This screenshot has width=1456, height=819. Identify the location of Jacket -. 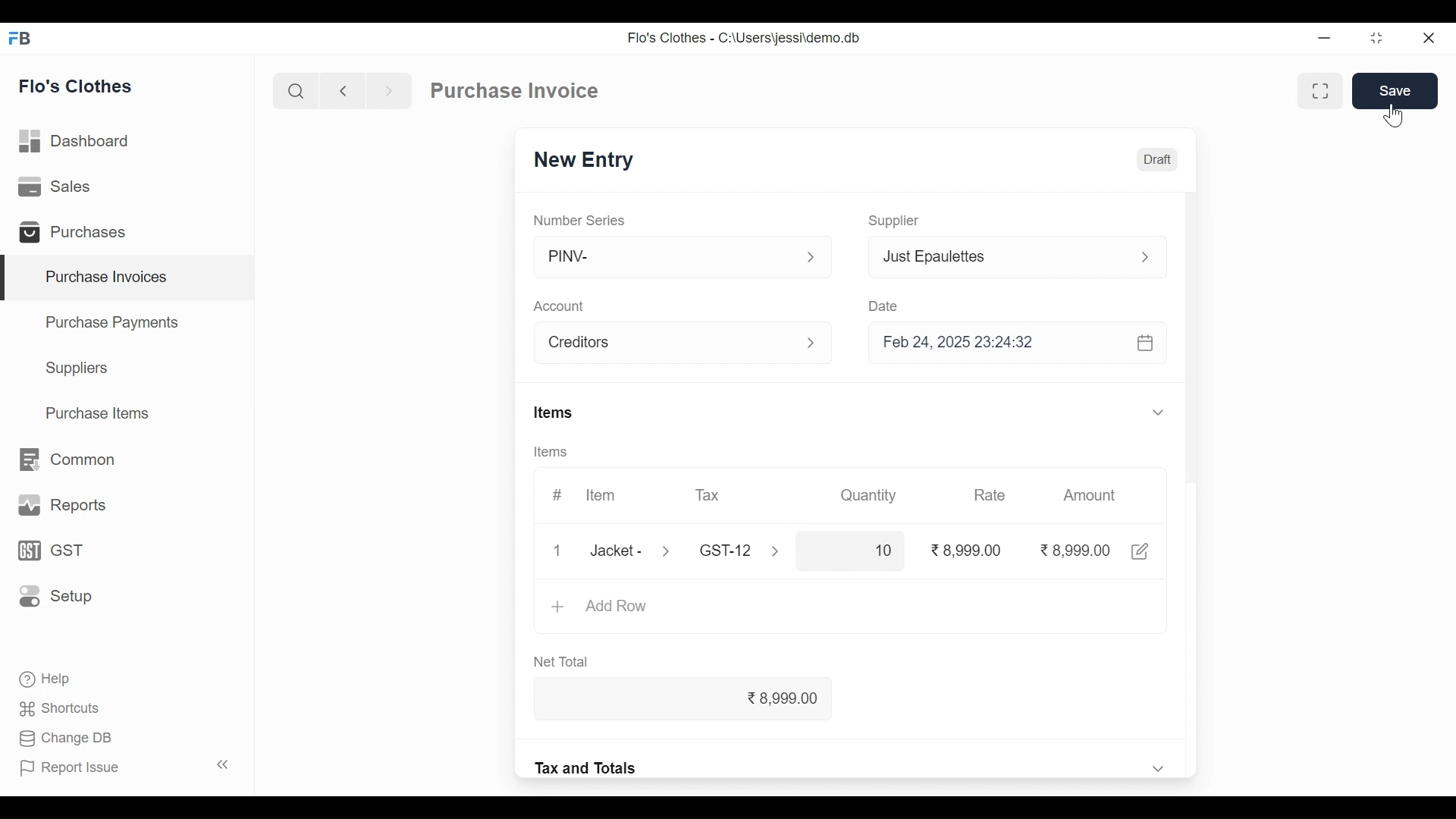
(617, 550).